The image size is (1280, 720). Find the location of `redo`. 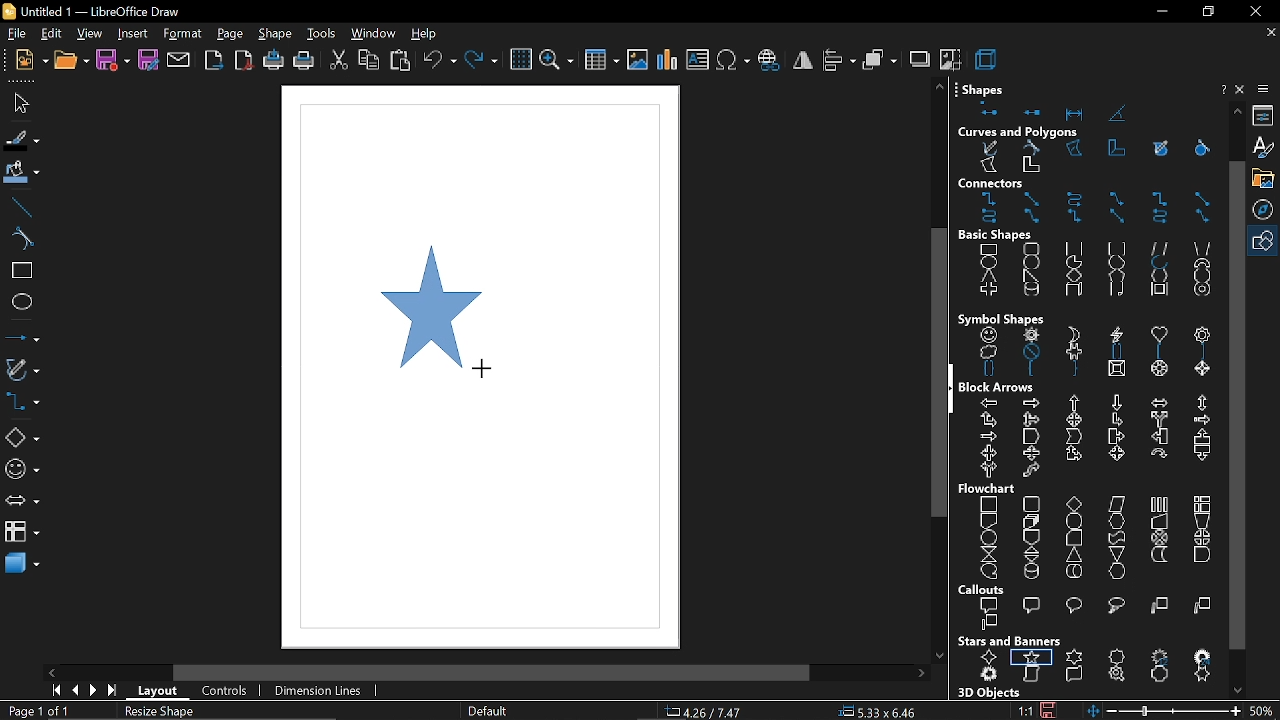

redo is located at coordinates (481, 60).